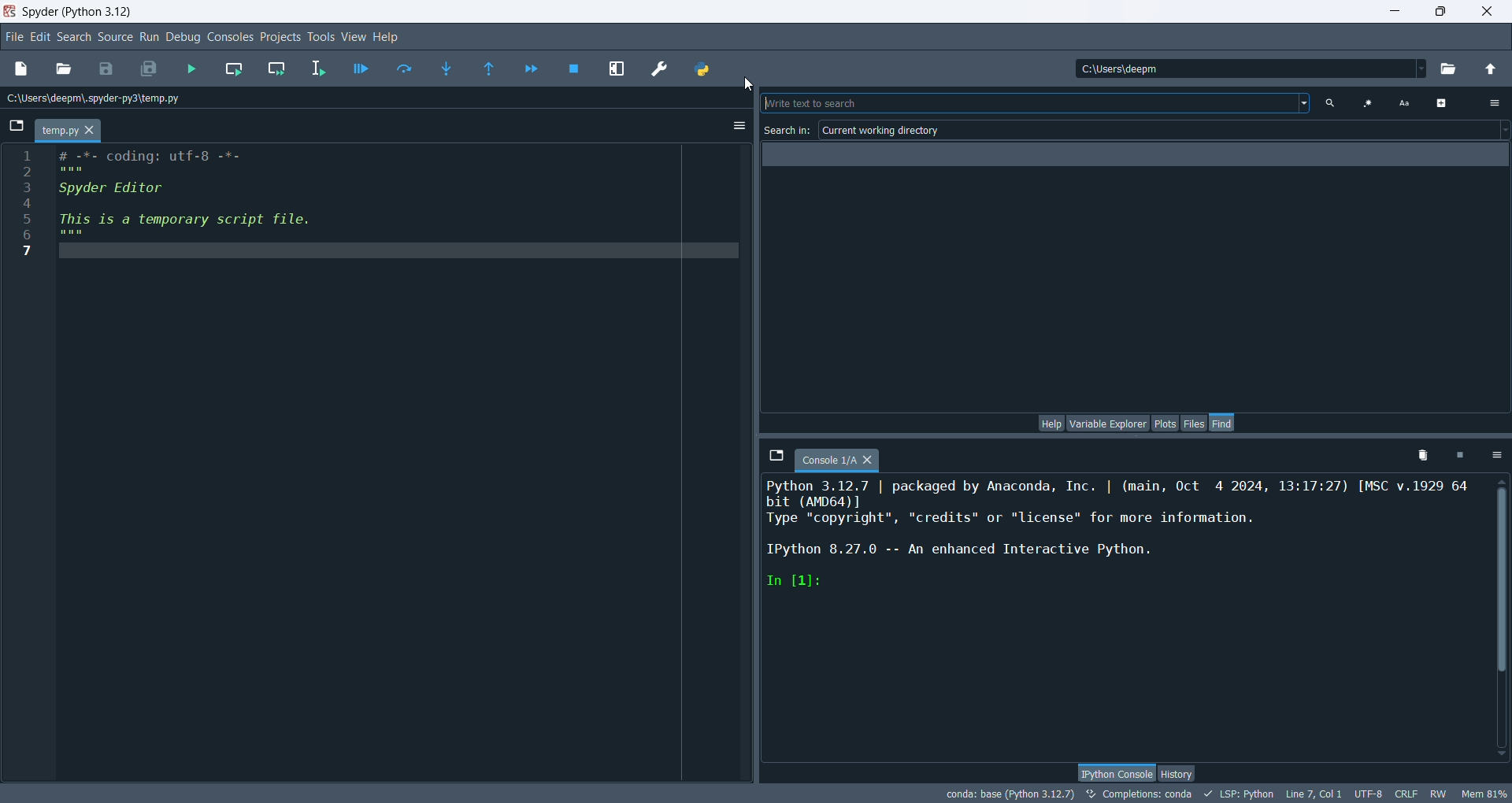 The width and height of the screenshot is (1512, 803). What do you see at coordinates (1494, 68) in the screenshot?
I see `change to parent directory` at bounding box center [1494, 68].